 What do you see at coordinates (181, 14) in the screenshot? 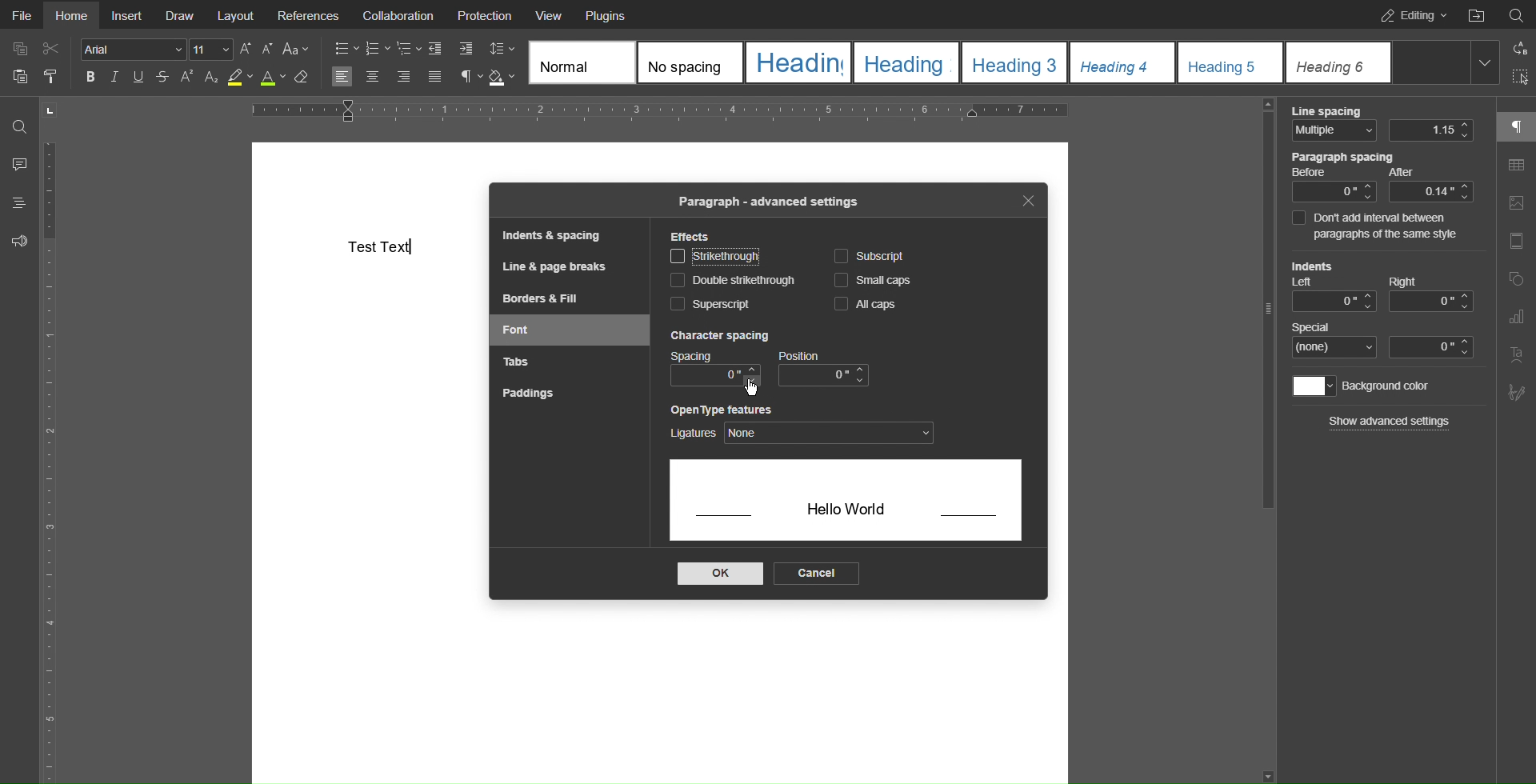
I see `Draw` at bounding box center [181, 14].